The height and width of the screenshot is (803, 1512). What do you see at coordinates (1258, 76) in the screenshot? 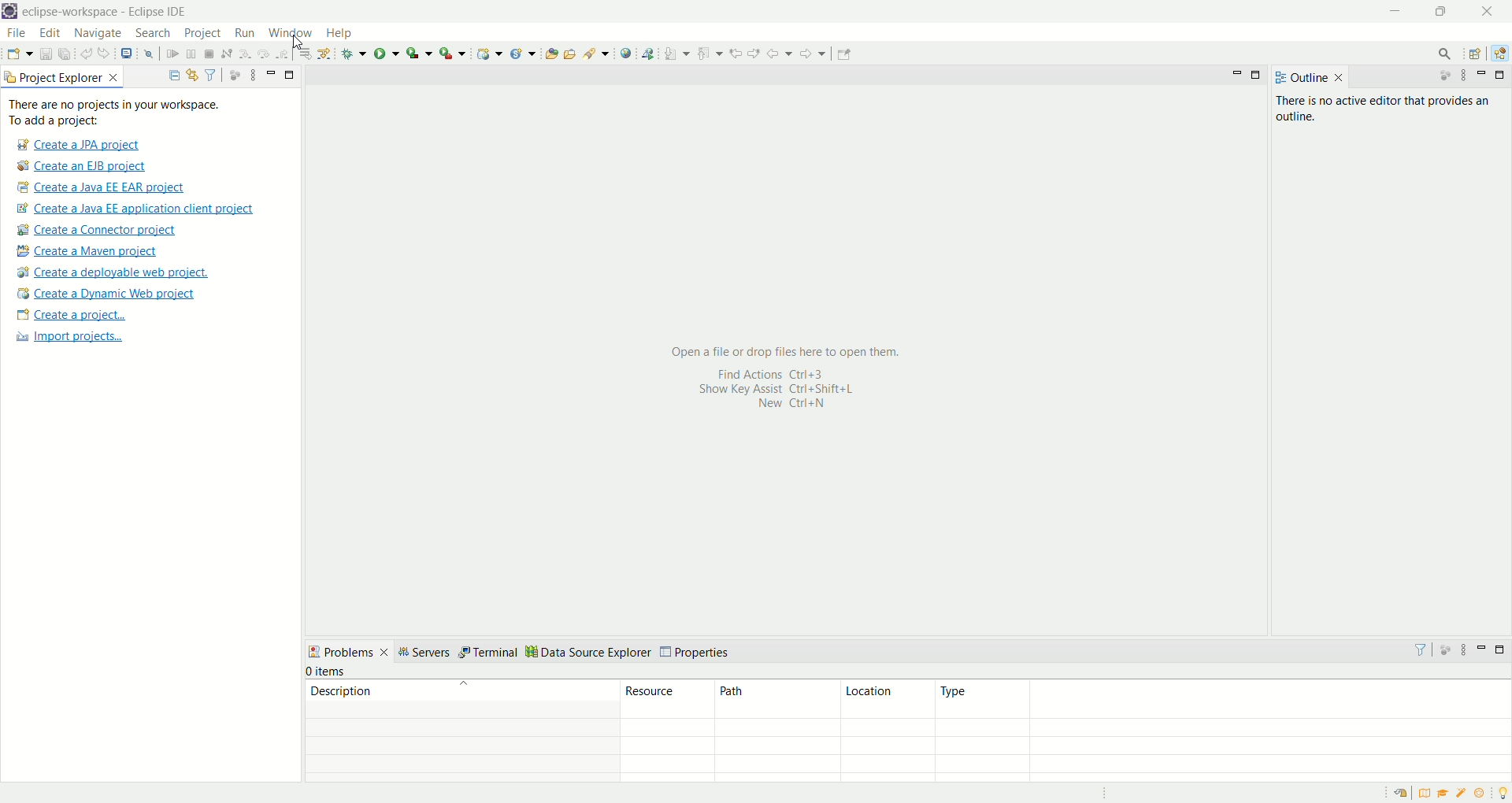
I see `maximize` at bounding box center [1258, 76].